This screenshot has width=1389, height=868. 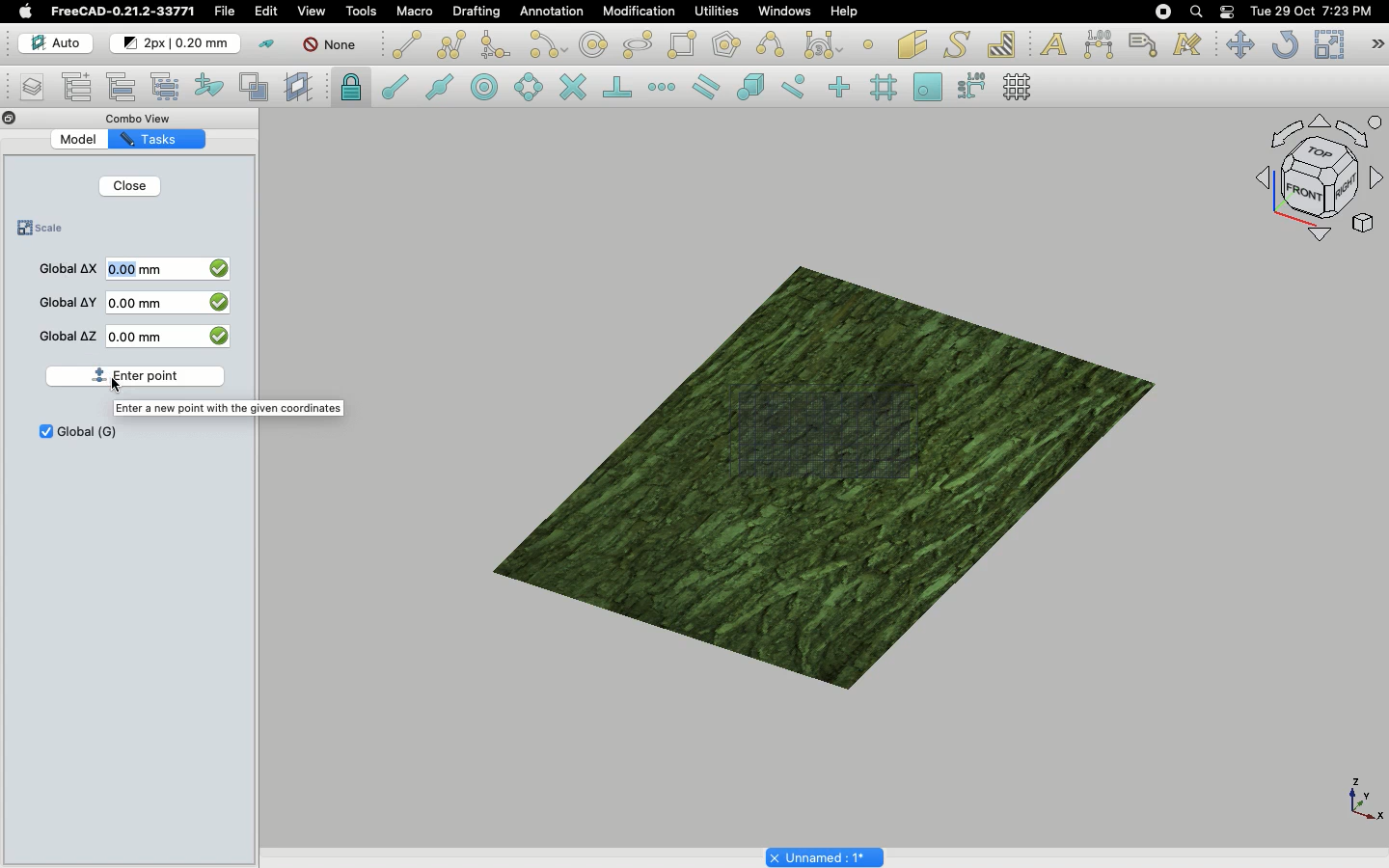 What do you see at coordinates (267, 13) in the screenshot?
I see `Edit` at bounding box center [267, 13].